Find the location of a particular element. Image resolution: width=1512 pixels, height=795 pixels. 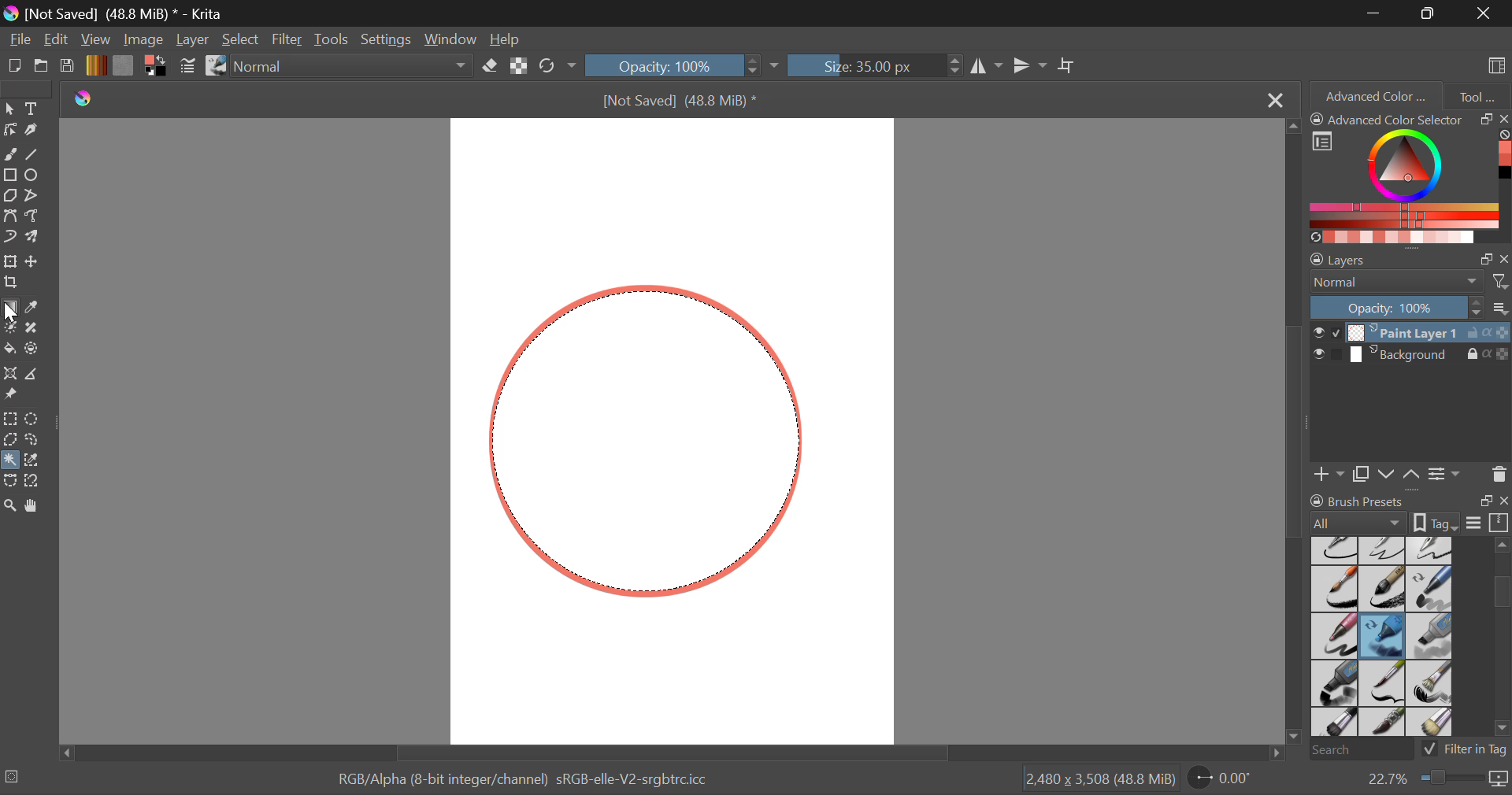

Preserve Alpha is located at coordinates (518, 66).